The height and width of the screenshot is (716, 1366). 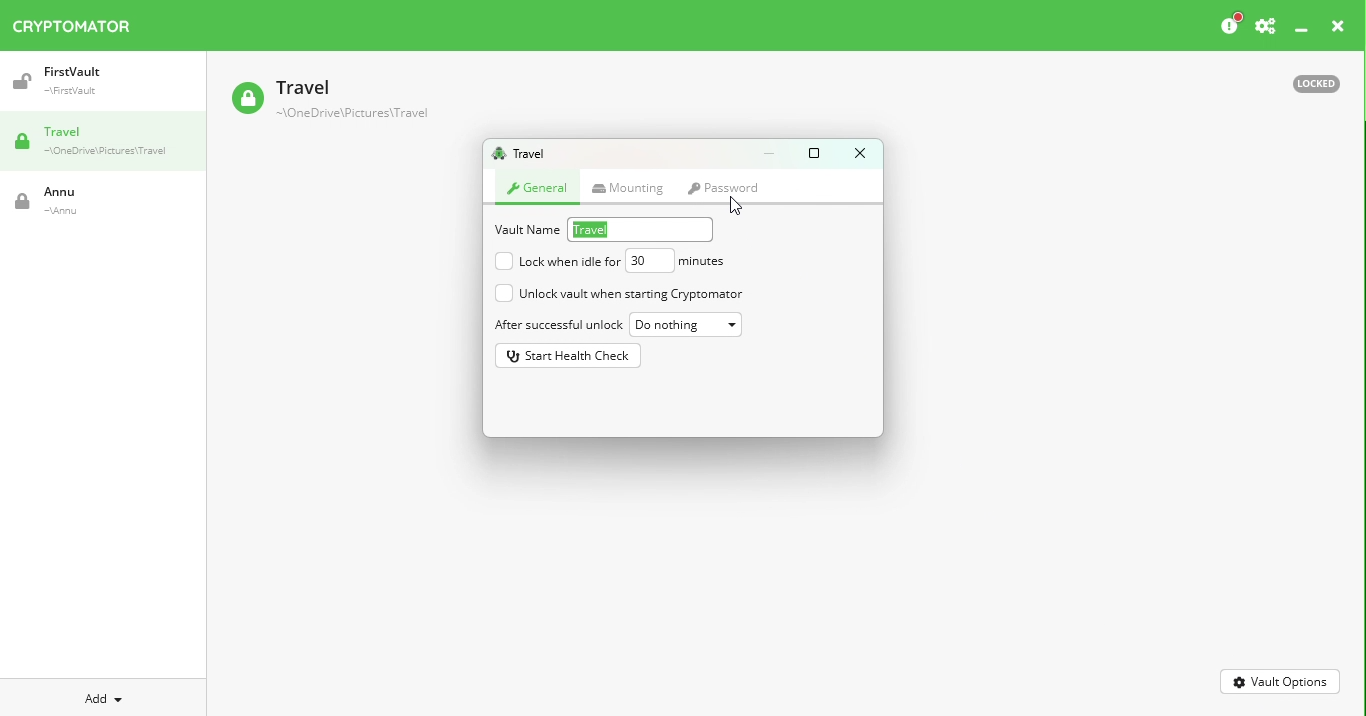 I want to click on Unlock vault when starting cryptomator, so click(x=627, y=293).